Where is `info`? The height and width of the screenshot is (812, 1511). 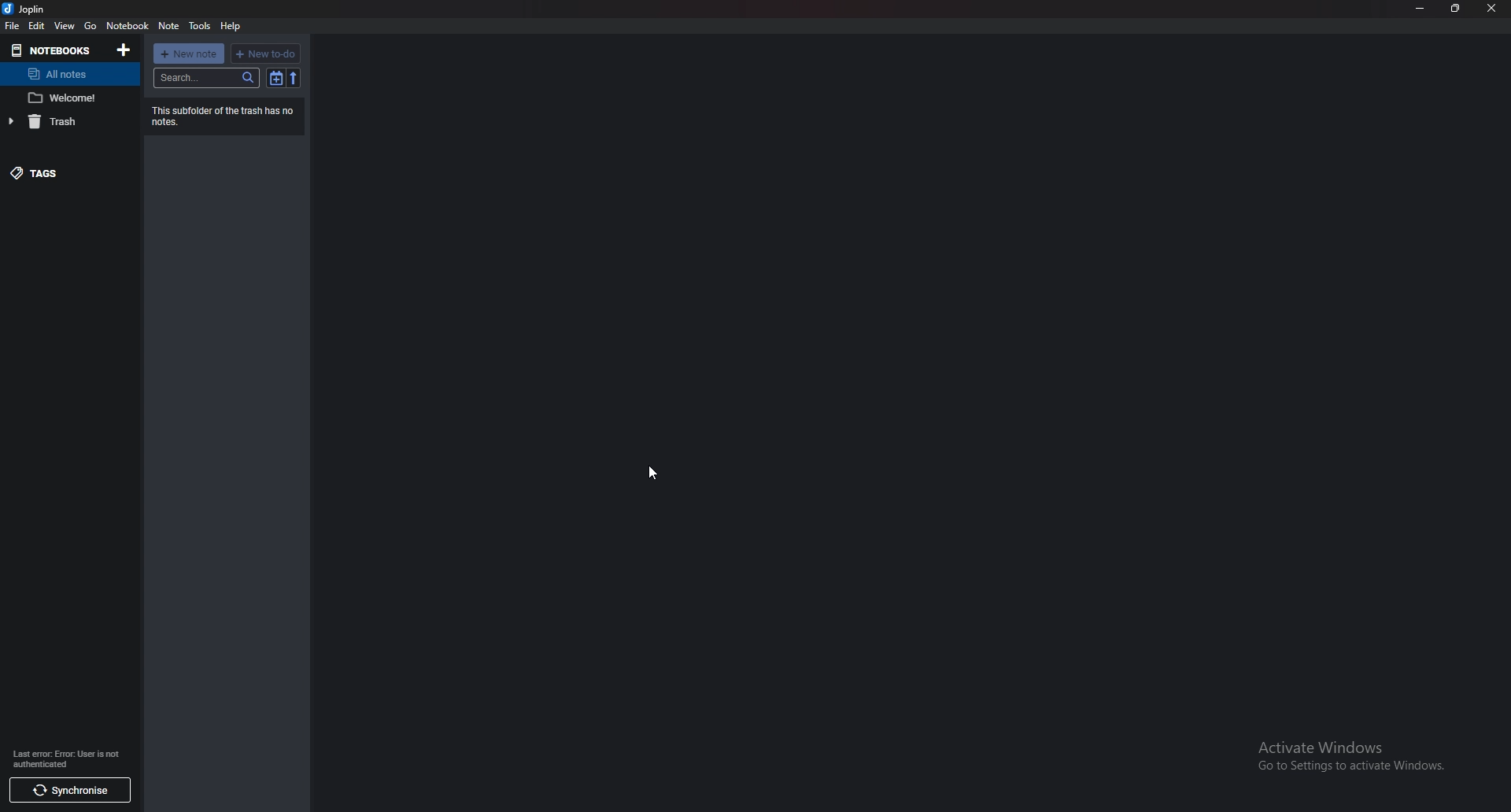
info is located at coordinates (73, 758).